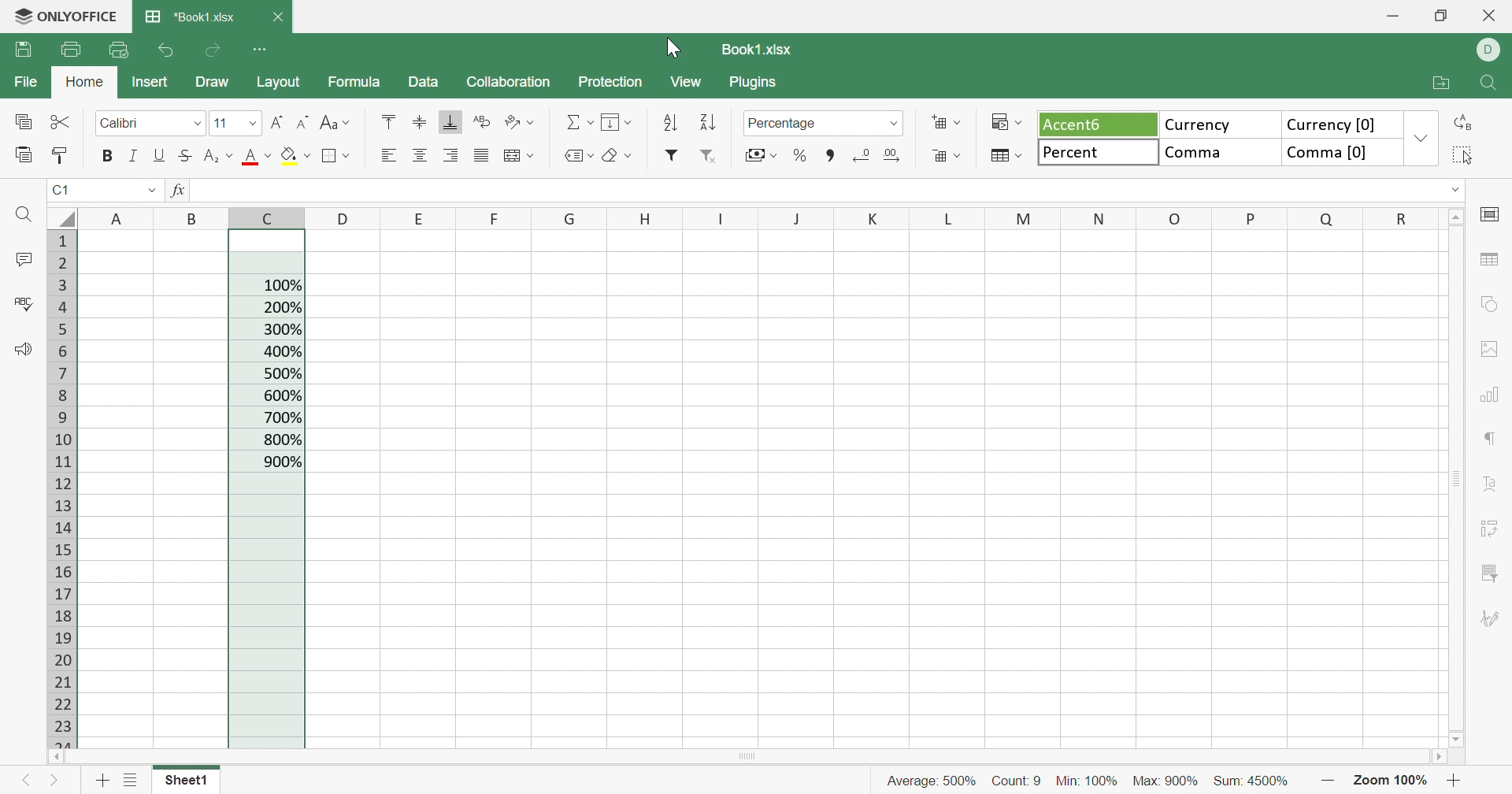 This screenshot has width=1512, height=794. What do you see at coordinates (511, 83) in the screenshot?
I see `Collaboration` at bounding box center [511, 83].